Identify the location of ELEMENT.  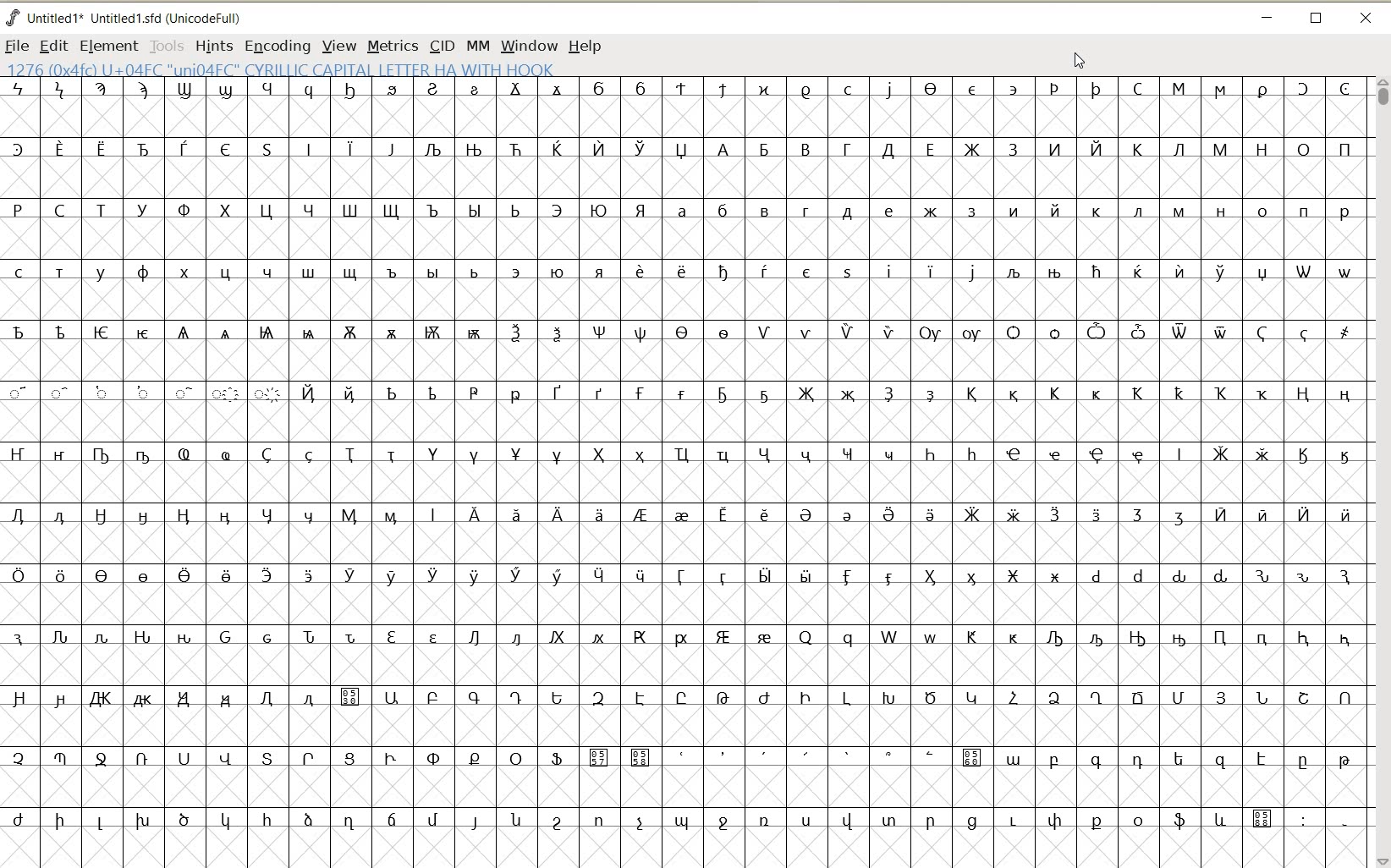
(108, 46).